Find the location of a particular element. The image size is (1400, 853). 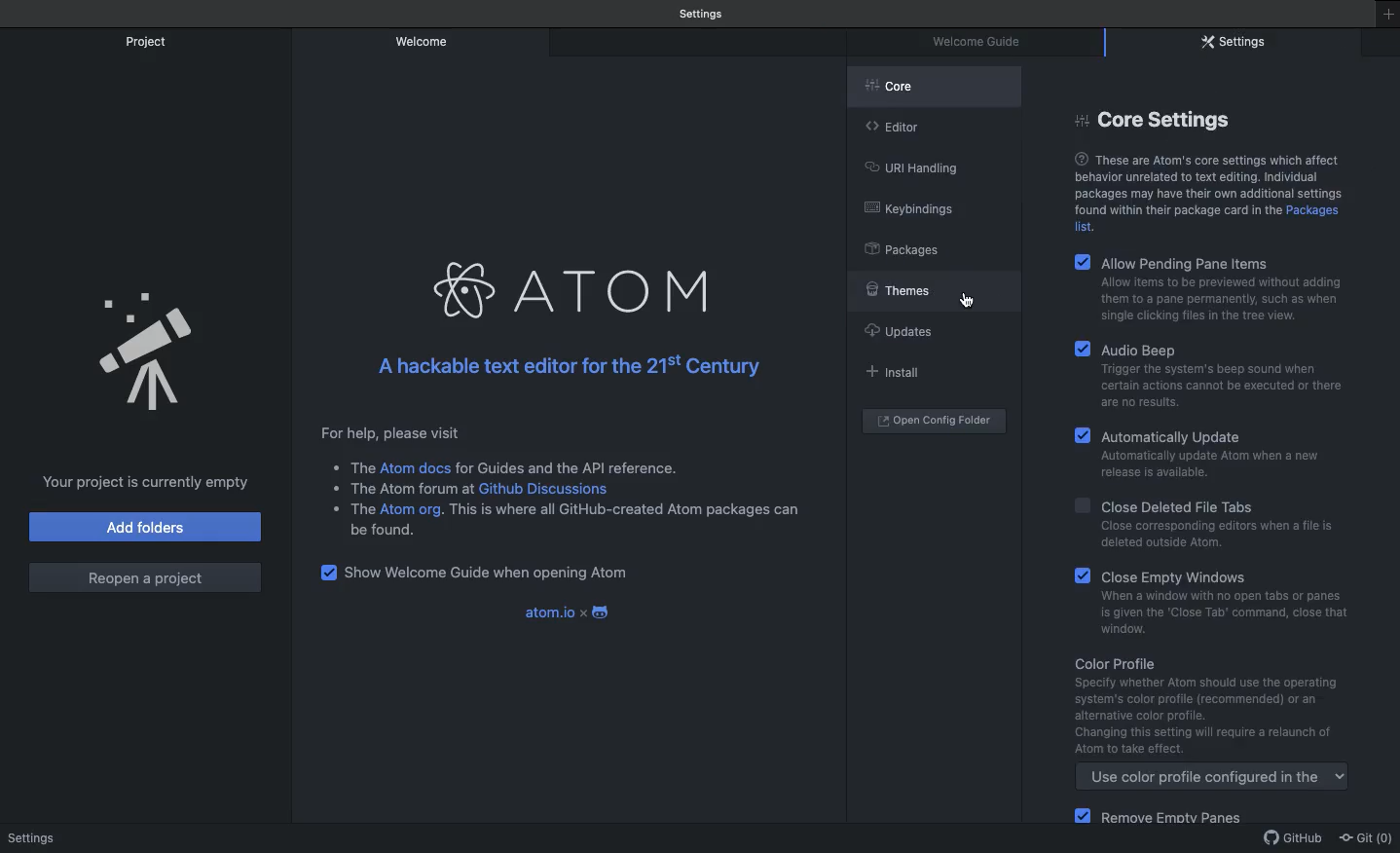

Install is located at coordinates (899, 371).